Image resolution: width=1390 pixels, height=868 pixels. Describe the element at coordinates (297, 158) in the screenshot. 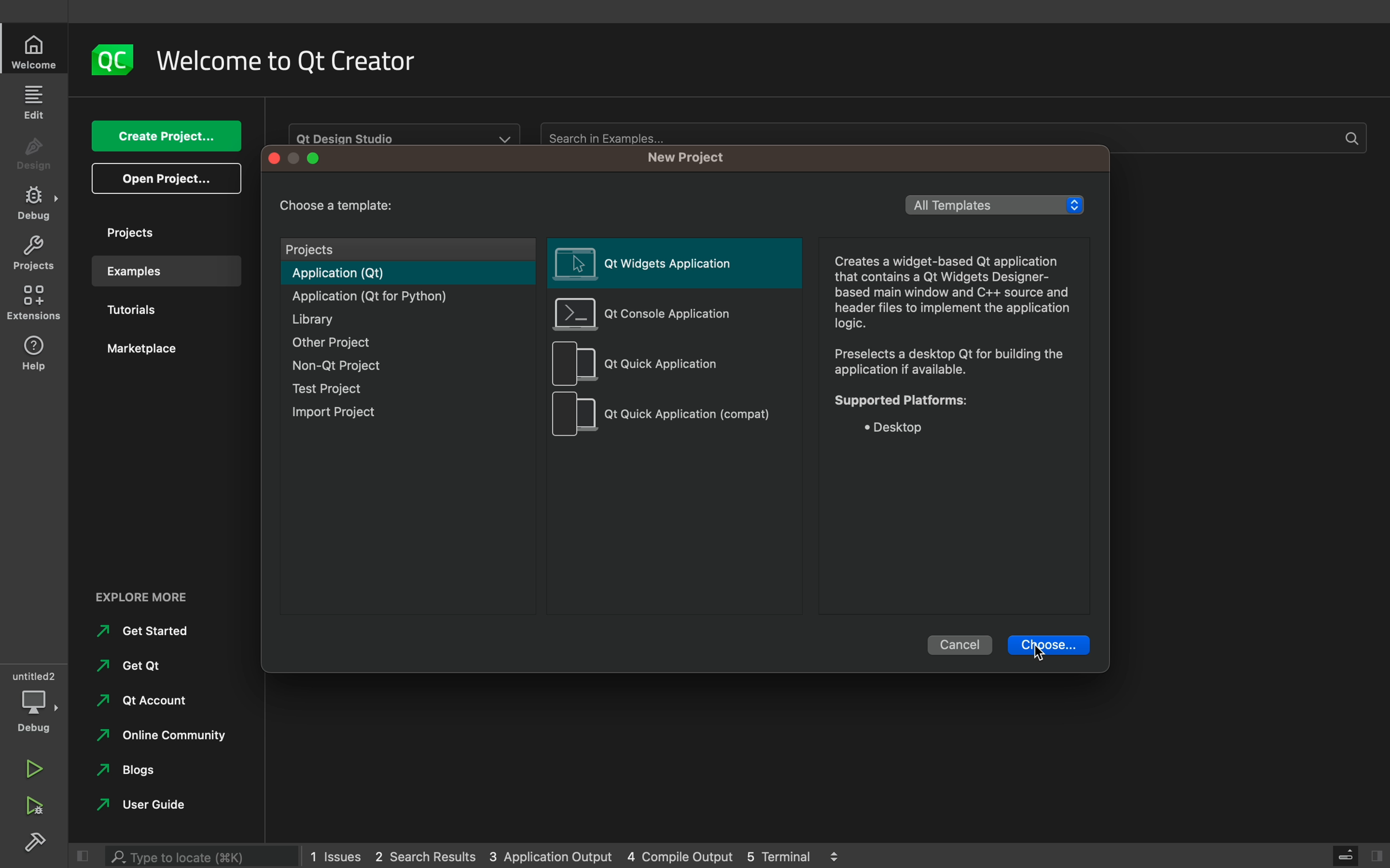

I see `window bar` at that location.